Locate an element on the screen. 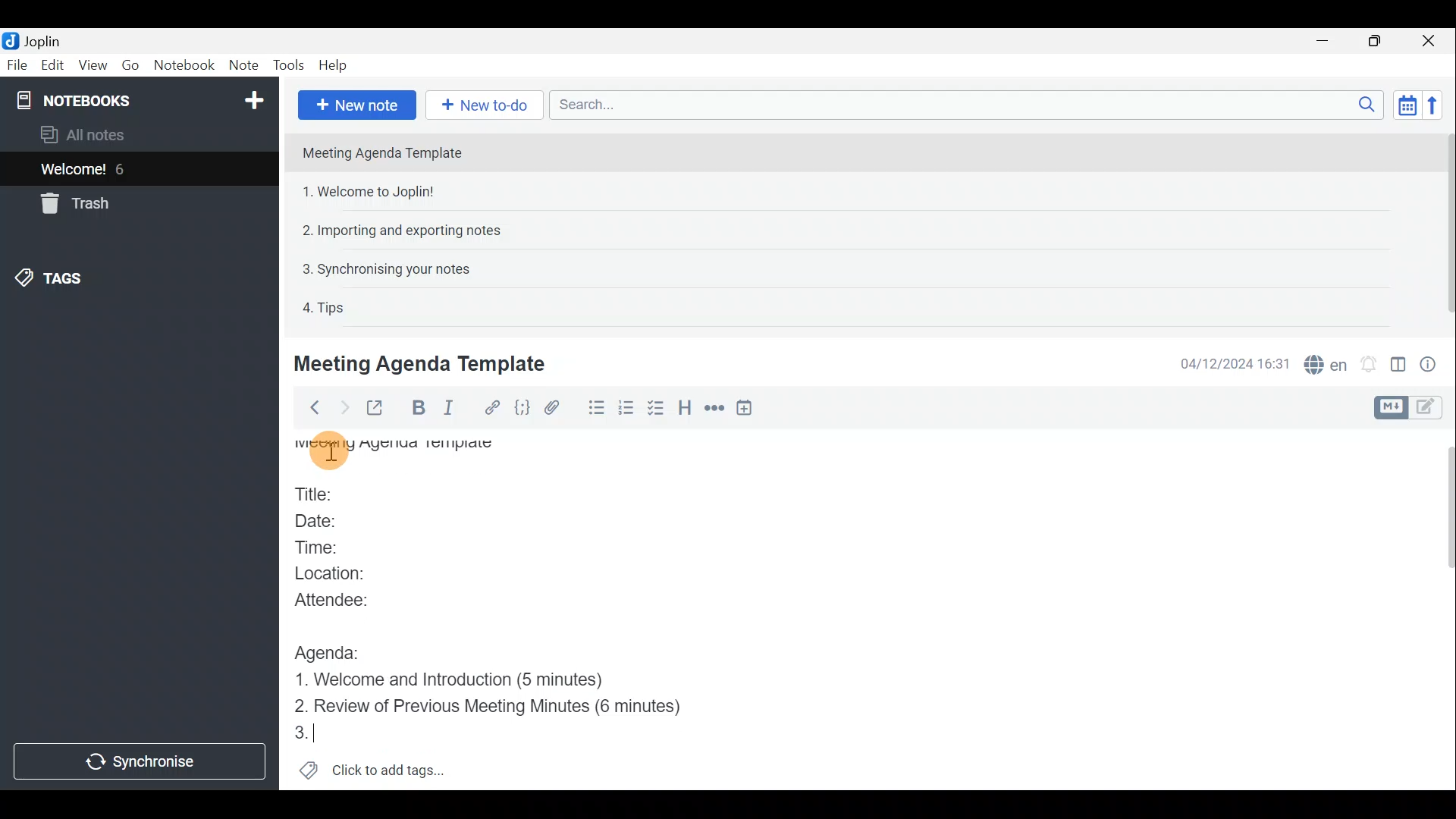 This screenshot has width=1456, height=819. 4. Tips is located at coordinates (325, 307).